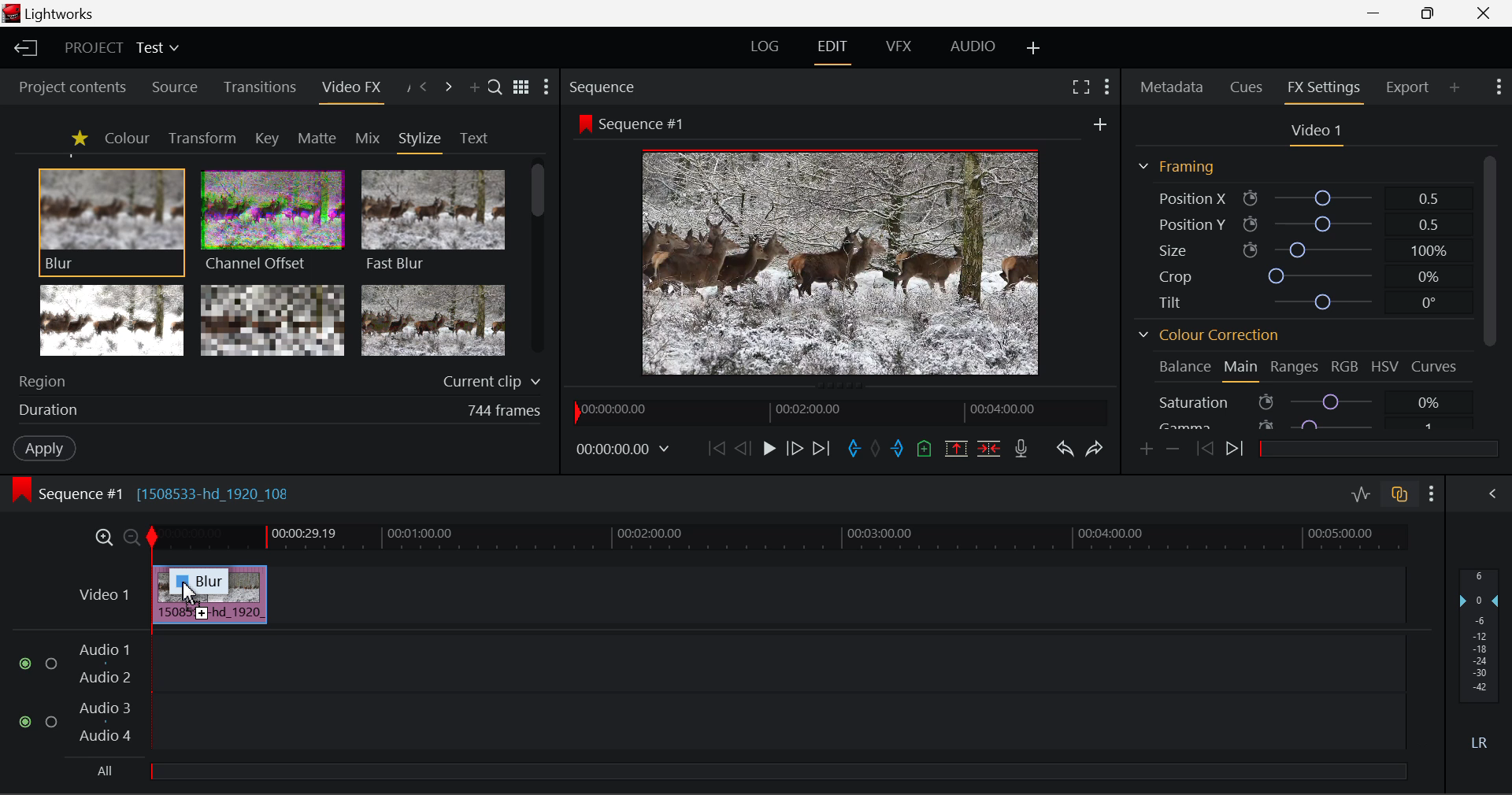 This screenshot has height=795, width=1512. What do you see at coordinates (355, 89) in the screenshot?
I see `Video FX Panel Open` at bounding box center [355, 89].